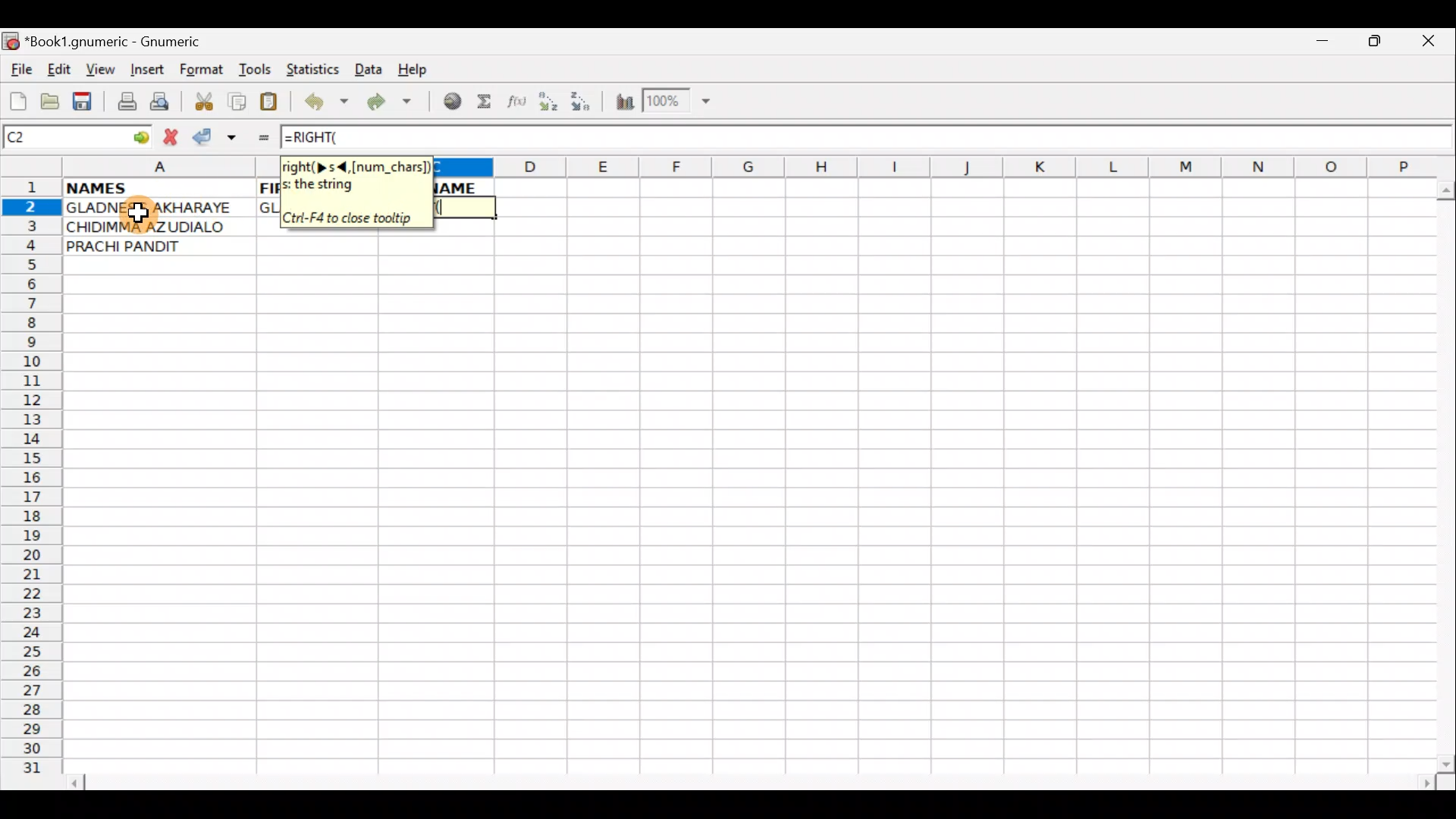 This screenshot has width=1456, height=819. Describe the element at coordinates (679, 103) in the screenshot. I see `Zoom` at that location.